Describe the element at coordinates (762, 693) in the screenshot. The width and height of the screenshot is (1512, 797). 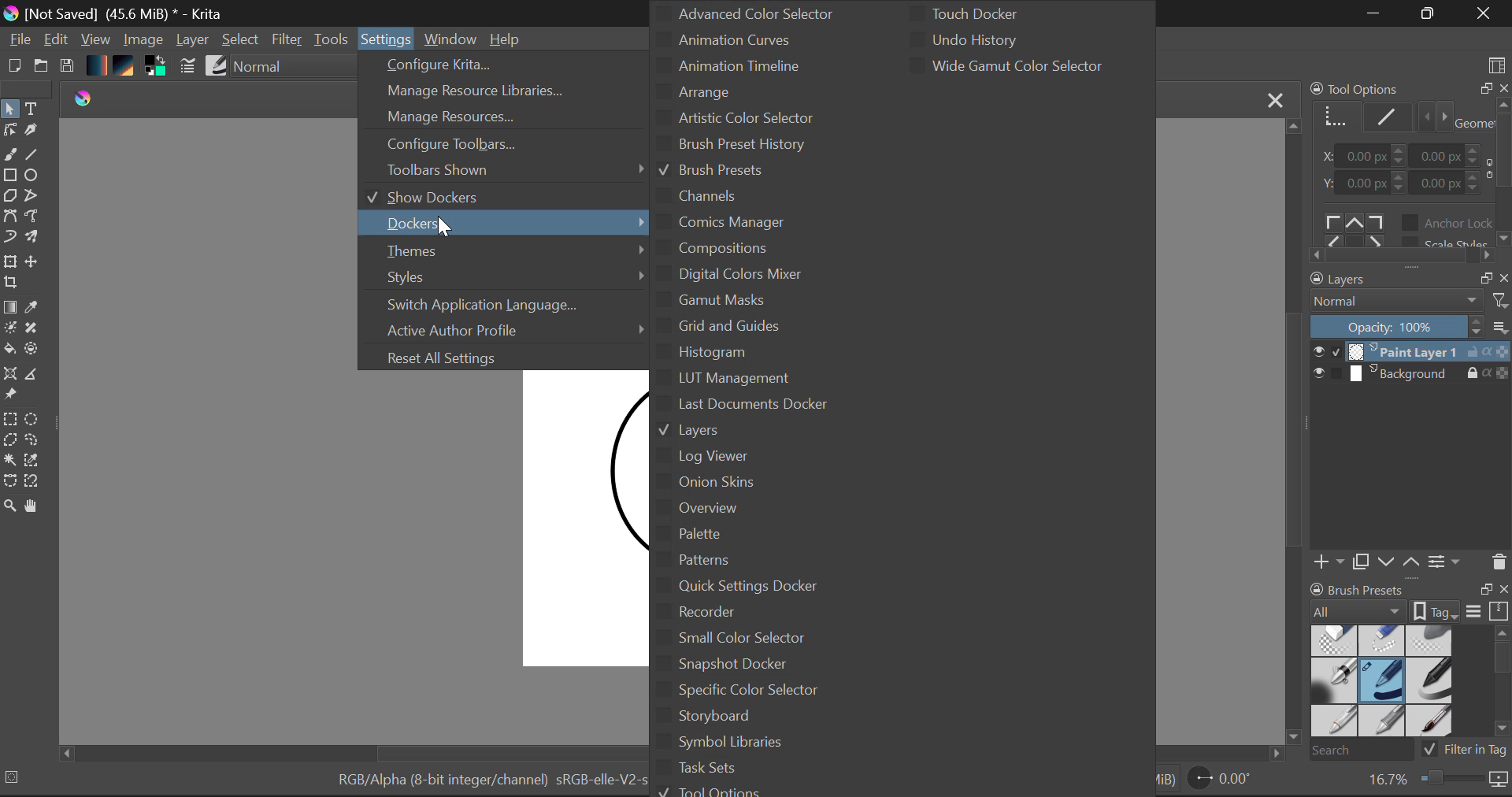
I see `Specific Color Selector` at that location.